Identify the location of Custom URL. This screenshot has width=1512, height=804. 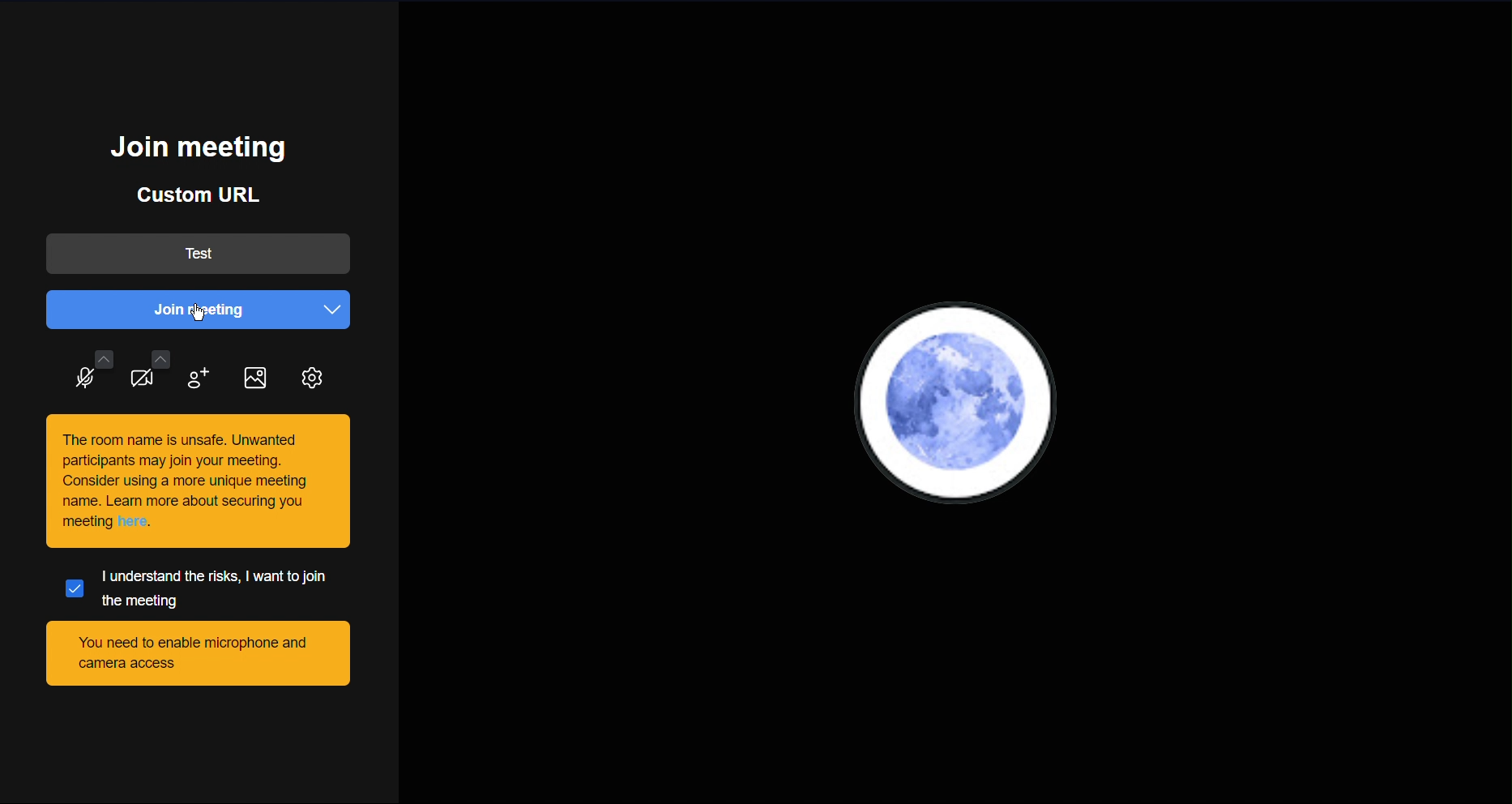
(201, 194).